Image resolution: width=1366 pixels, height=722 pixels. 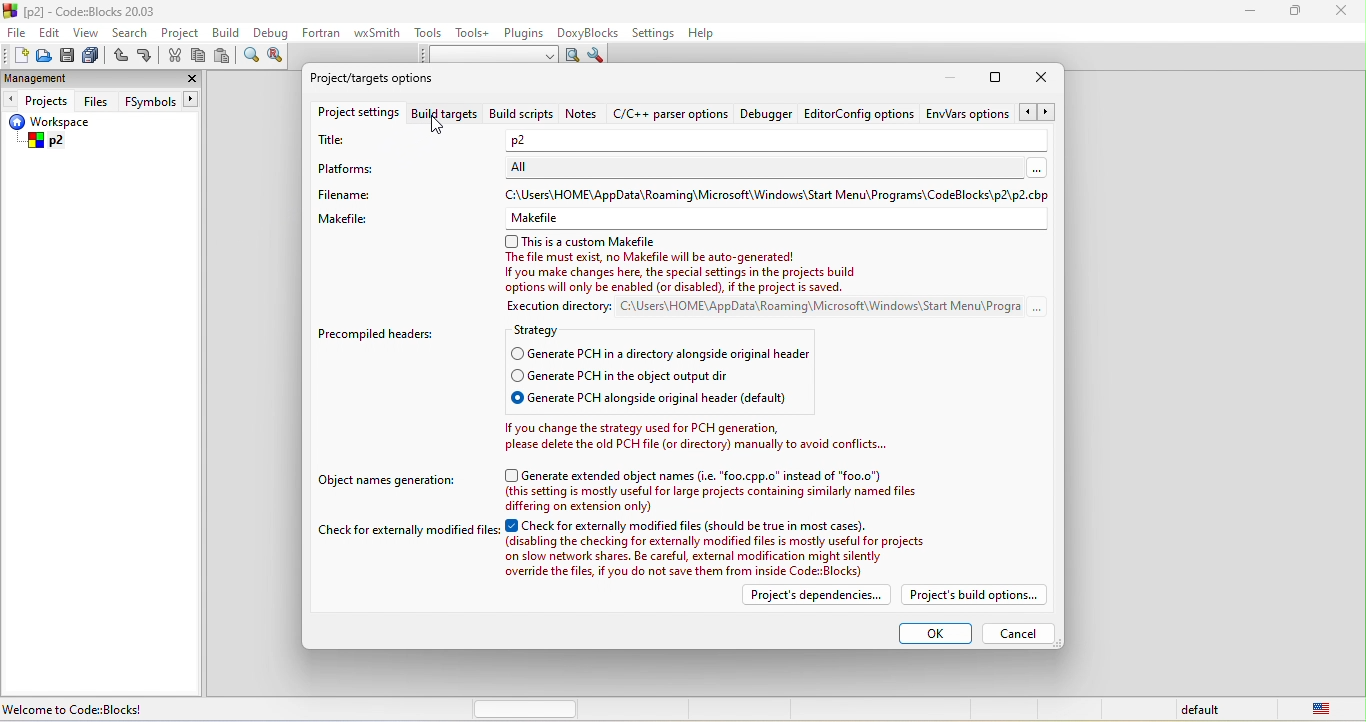 What do you see at coordinates (670, 117) in the screenshot?
I see `c/c++ parser option` at bounding box center [670, 117].